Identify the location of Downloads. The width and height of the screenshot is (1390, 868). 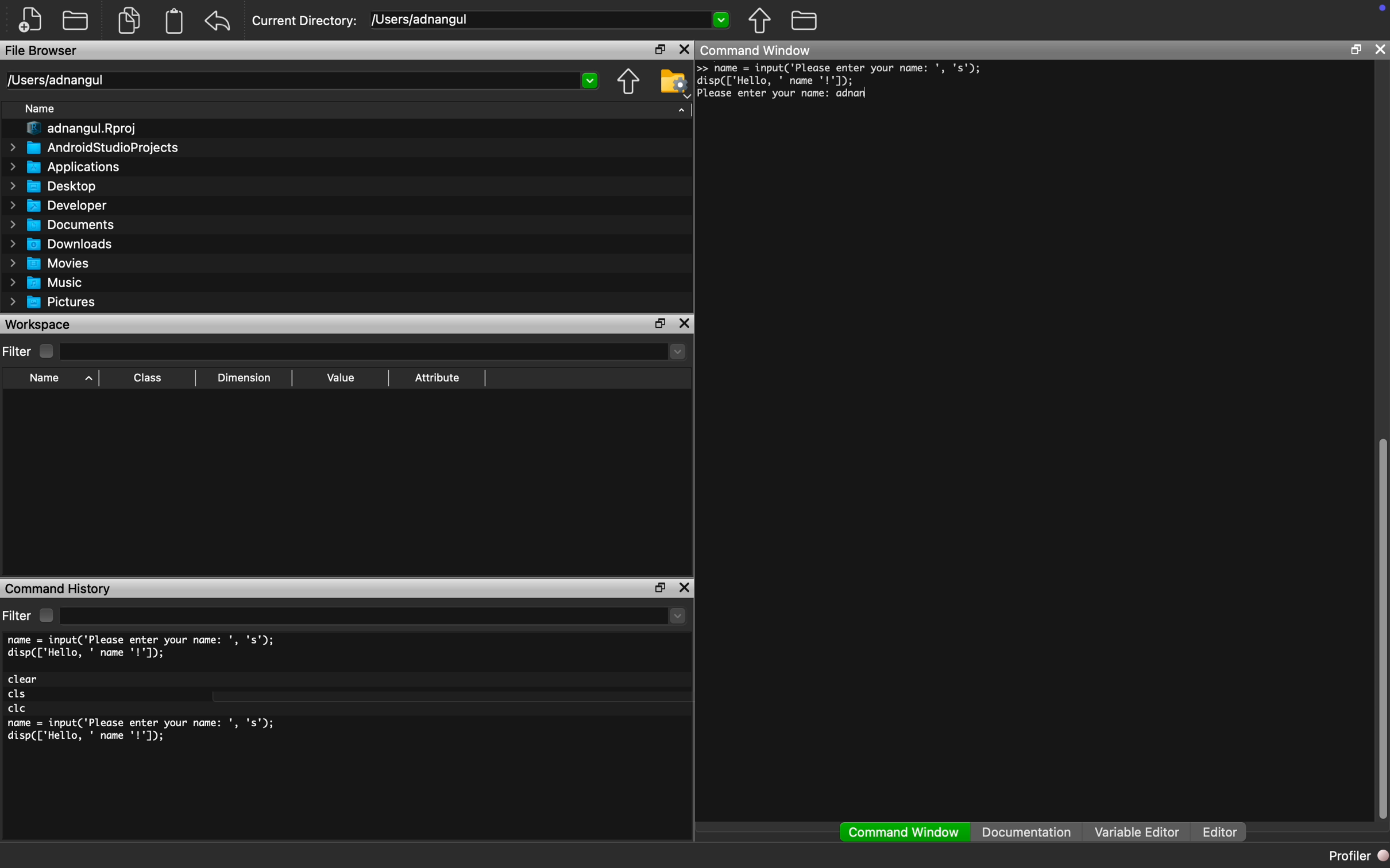
(63, 243).